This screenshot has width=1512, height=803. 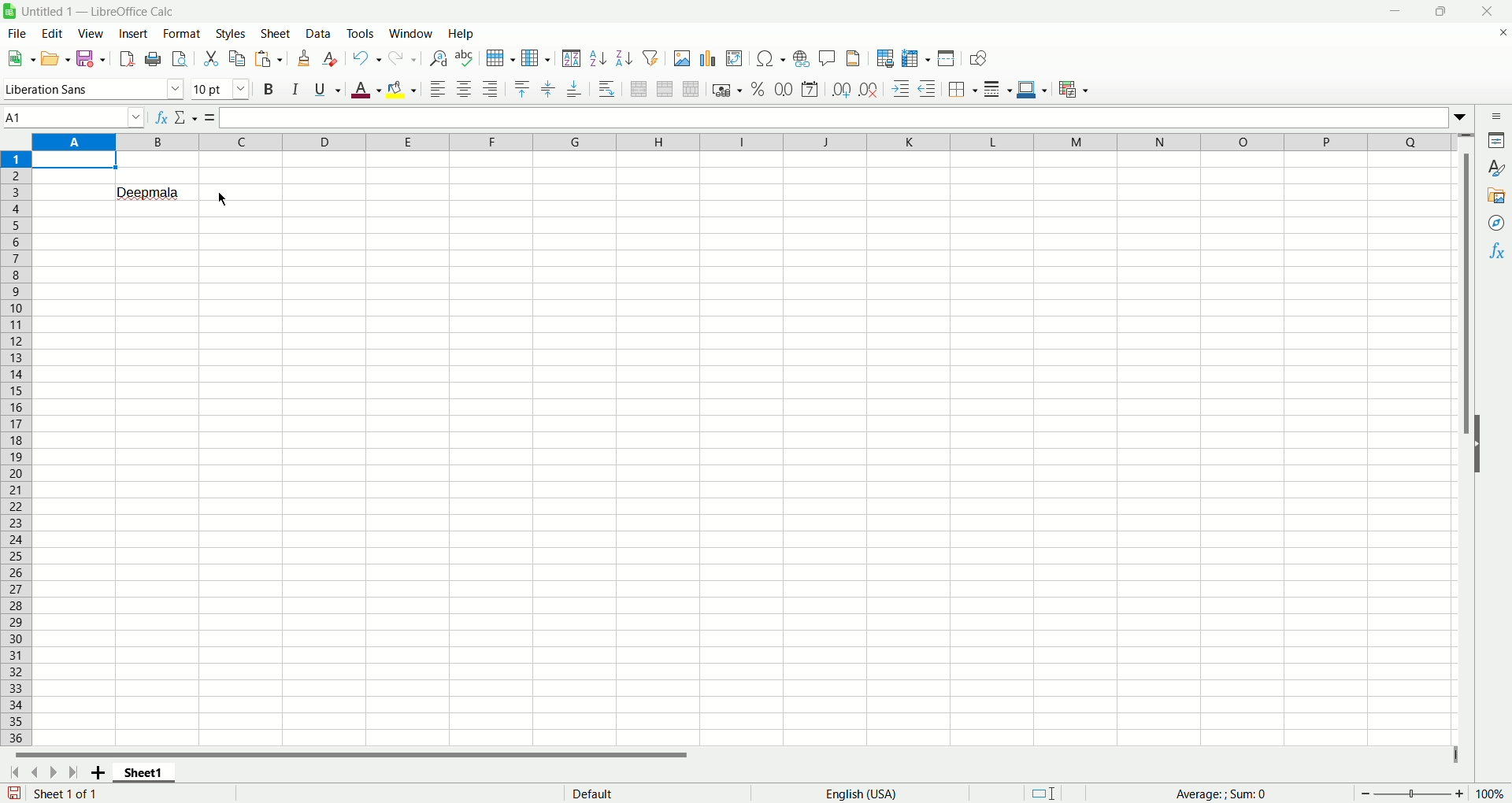 What do you see at coordinates (464, 58) in the screenshot?
I see `spell check` at bounding box center [464, 58].